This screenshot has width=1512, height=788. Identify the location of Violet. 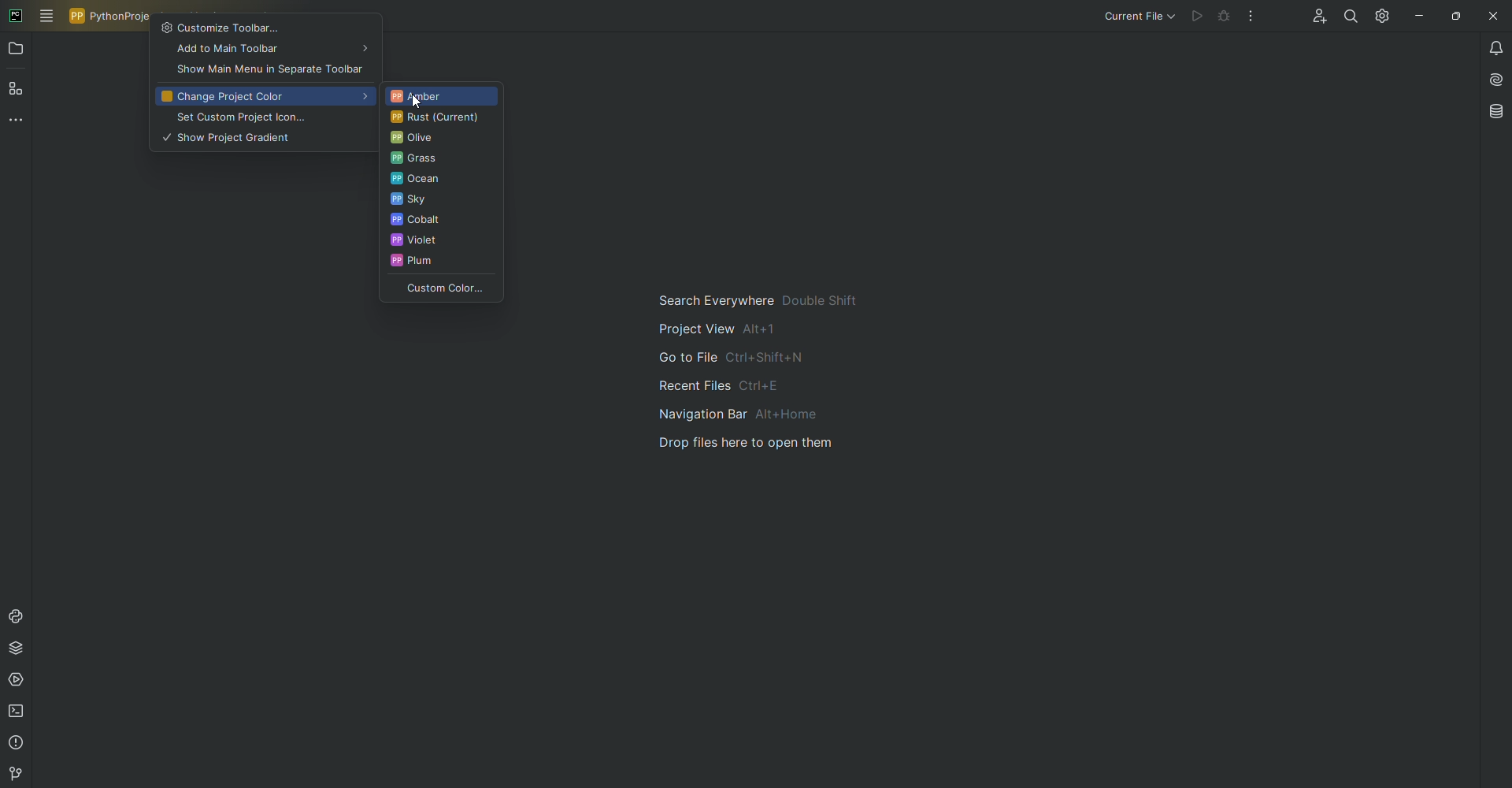
(439, 242).